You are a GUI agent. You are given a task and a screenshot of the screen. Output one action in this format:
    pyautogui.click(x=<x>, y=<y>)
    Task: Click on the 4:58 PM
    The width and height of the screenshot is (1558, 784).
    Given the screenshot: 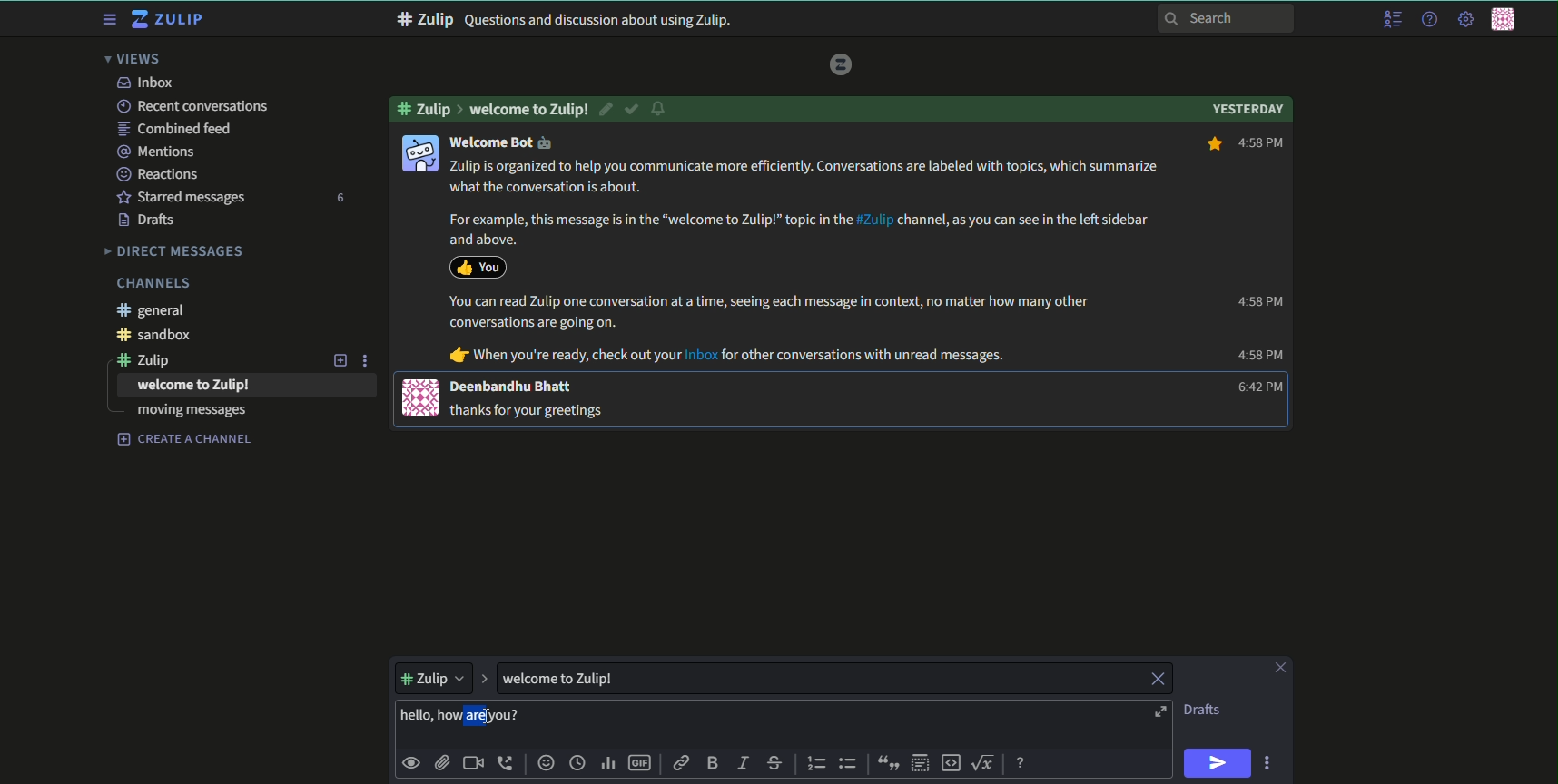 What is the action you would take?
    pyautogui.click(x=1245, y=144)
    